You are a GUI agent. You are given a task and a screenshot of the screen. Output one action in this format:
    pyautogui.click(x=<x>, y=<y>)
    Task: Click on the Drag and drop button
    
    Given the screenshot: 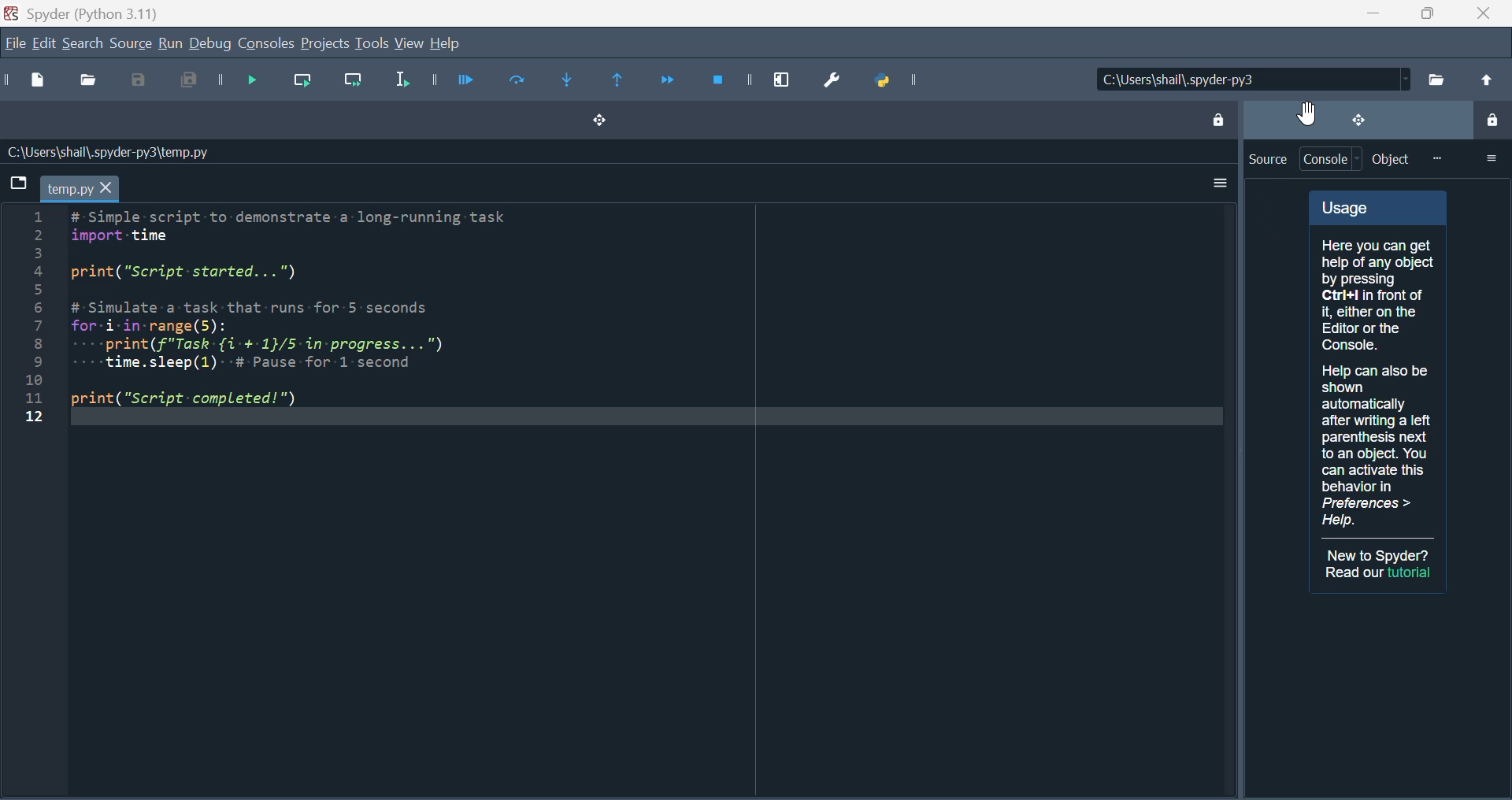 What is the action you would take?
    pyautogui.click(x=597, y=122)
    